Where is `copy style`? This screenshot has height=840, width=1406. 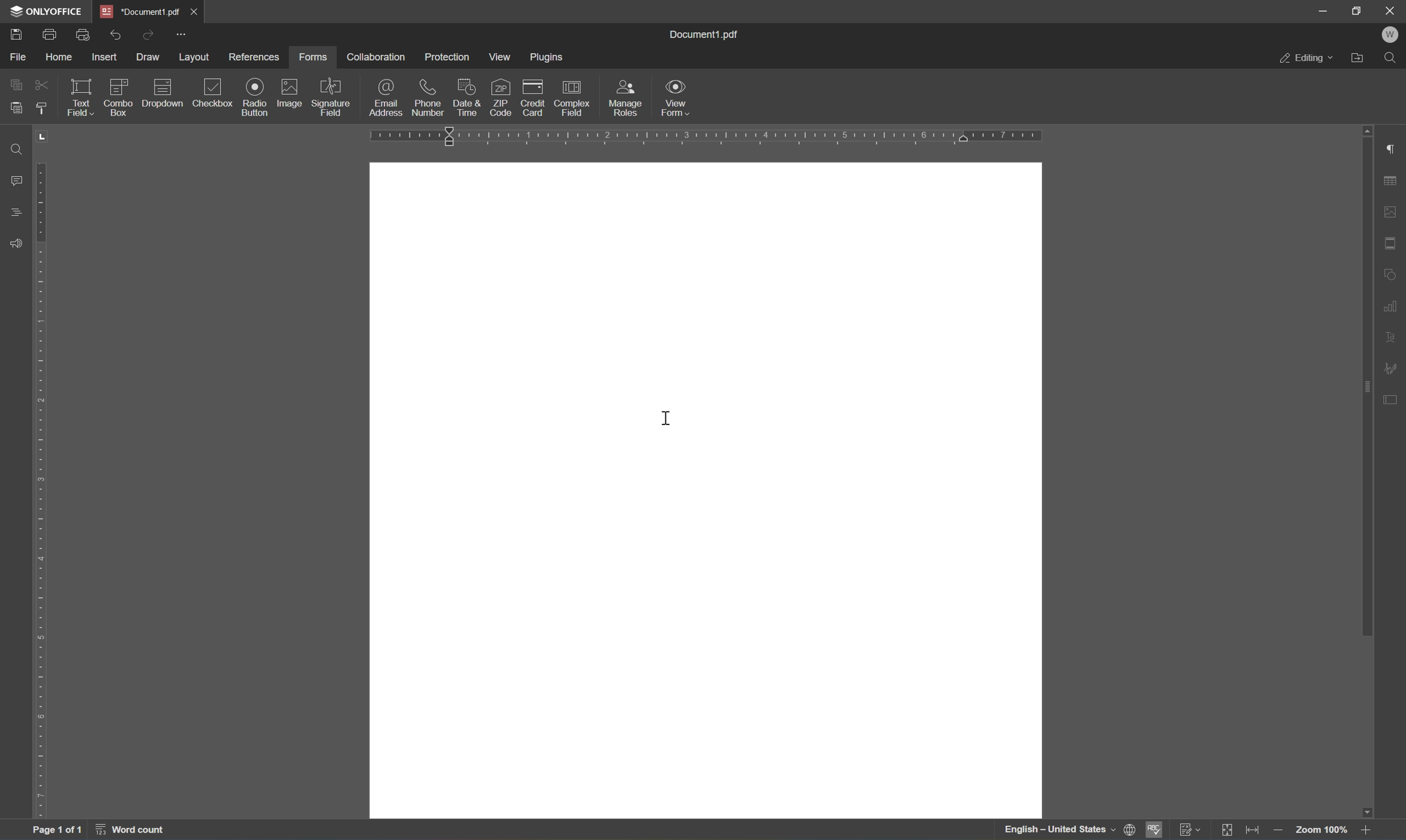 copy style is located at coordinates (40, 107).